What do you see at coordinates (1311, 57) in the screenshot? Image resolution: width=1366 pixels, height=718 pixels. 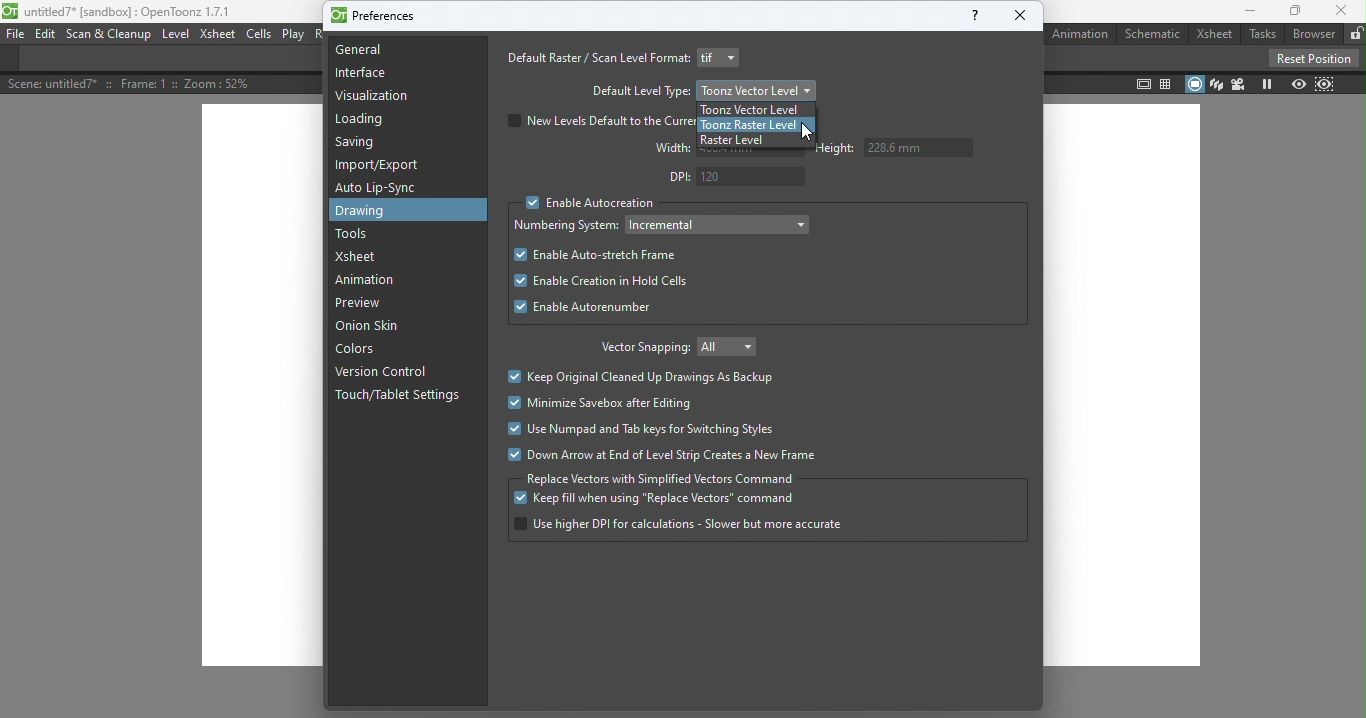 I see `Reset position` at bounding box center [1311, 57].